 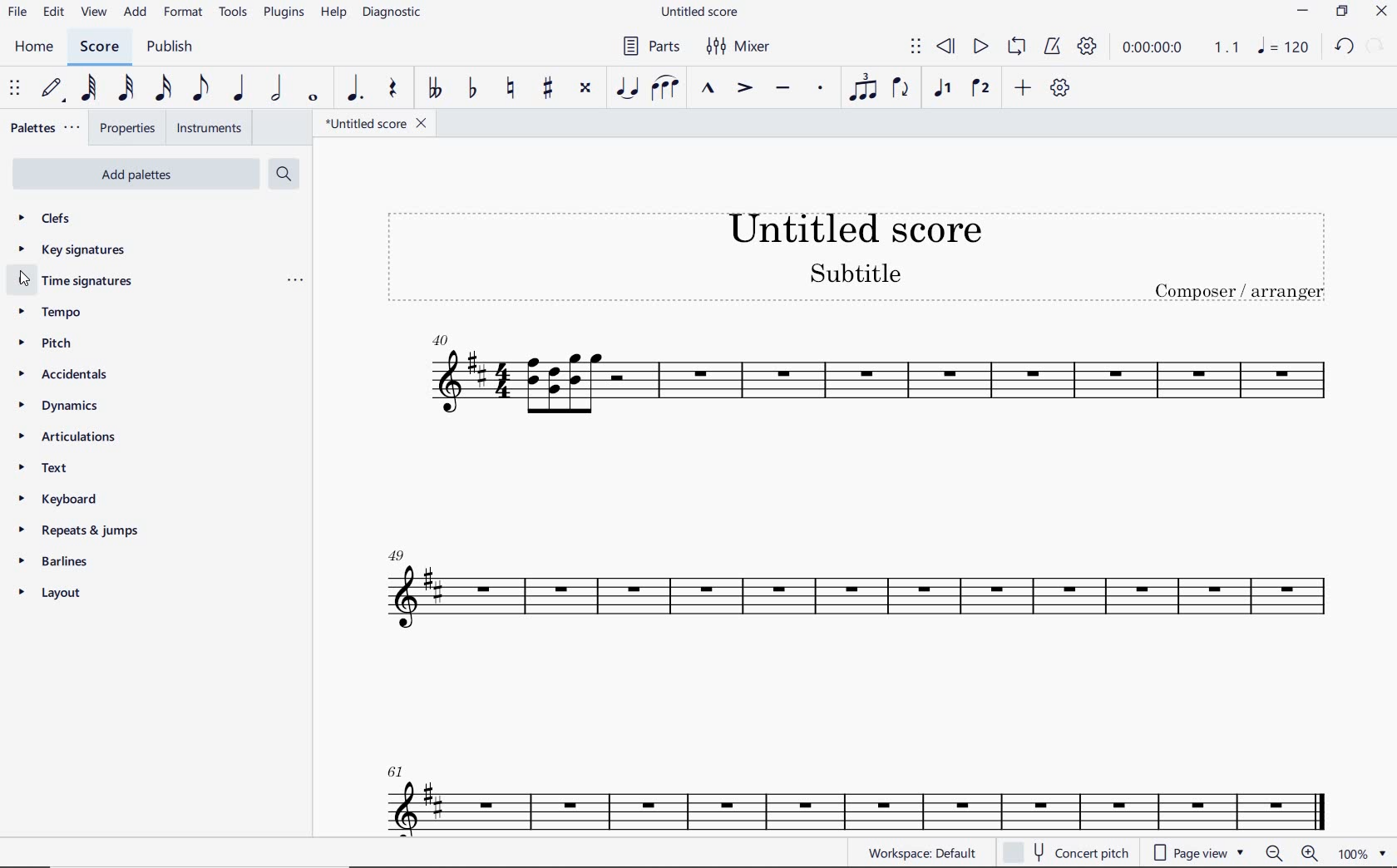 I want to click on 64TH NOTE, so click(x=88, y=88).